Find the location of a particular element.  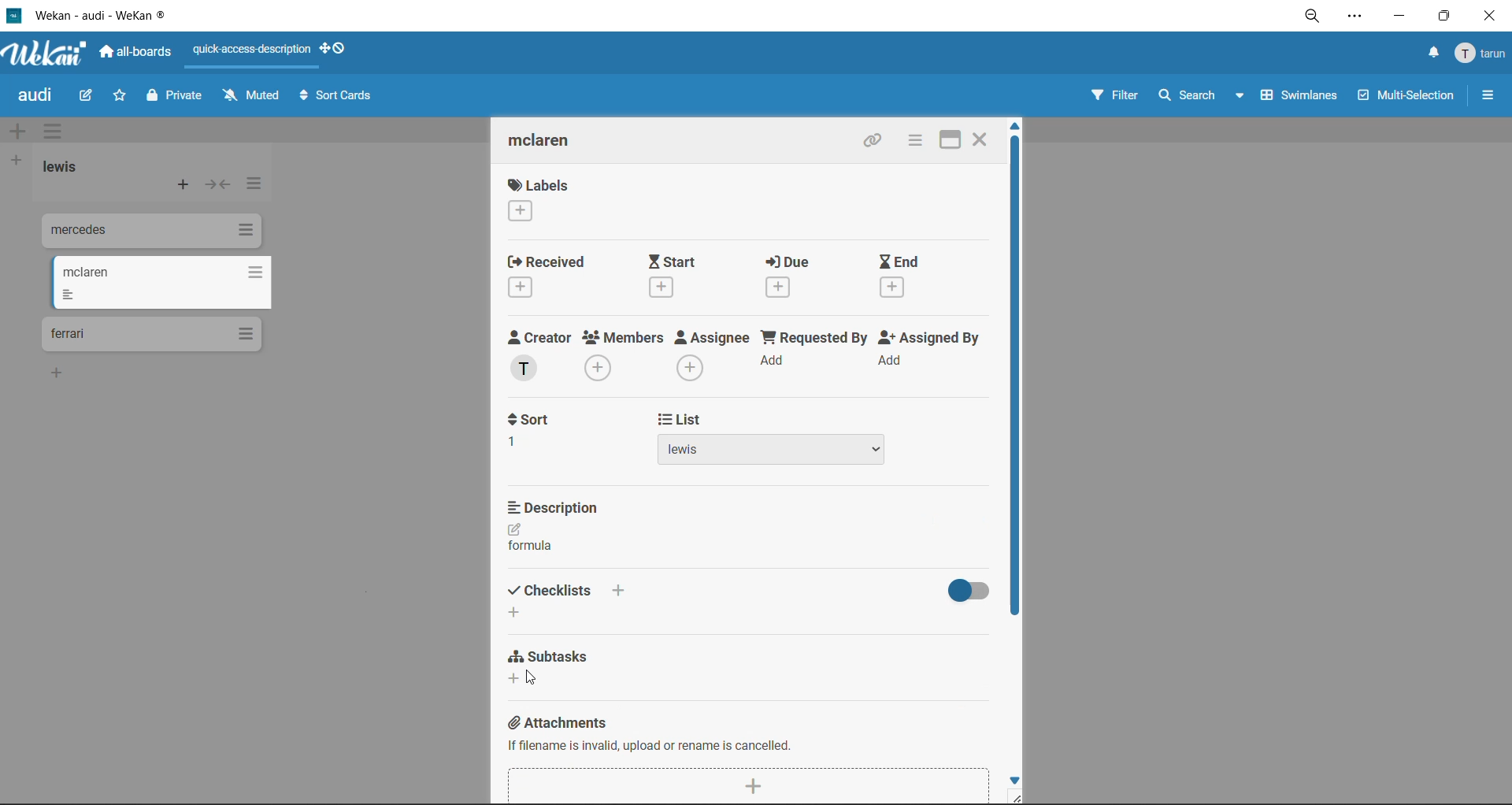

quick access description is located at coordinates (253, 50).